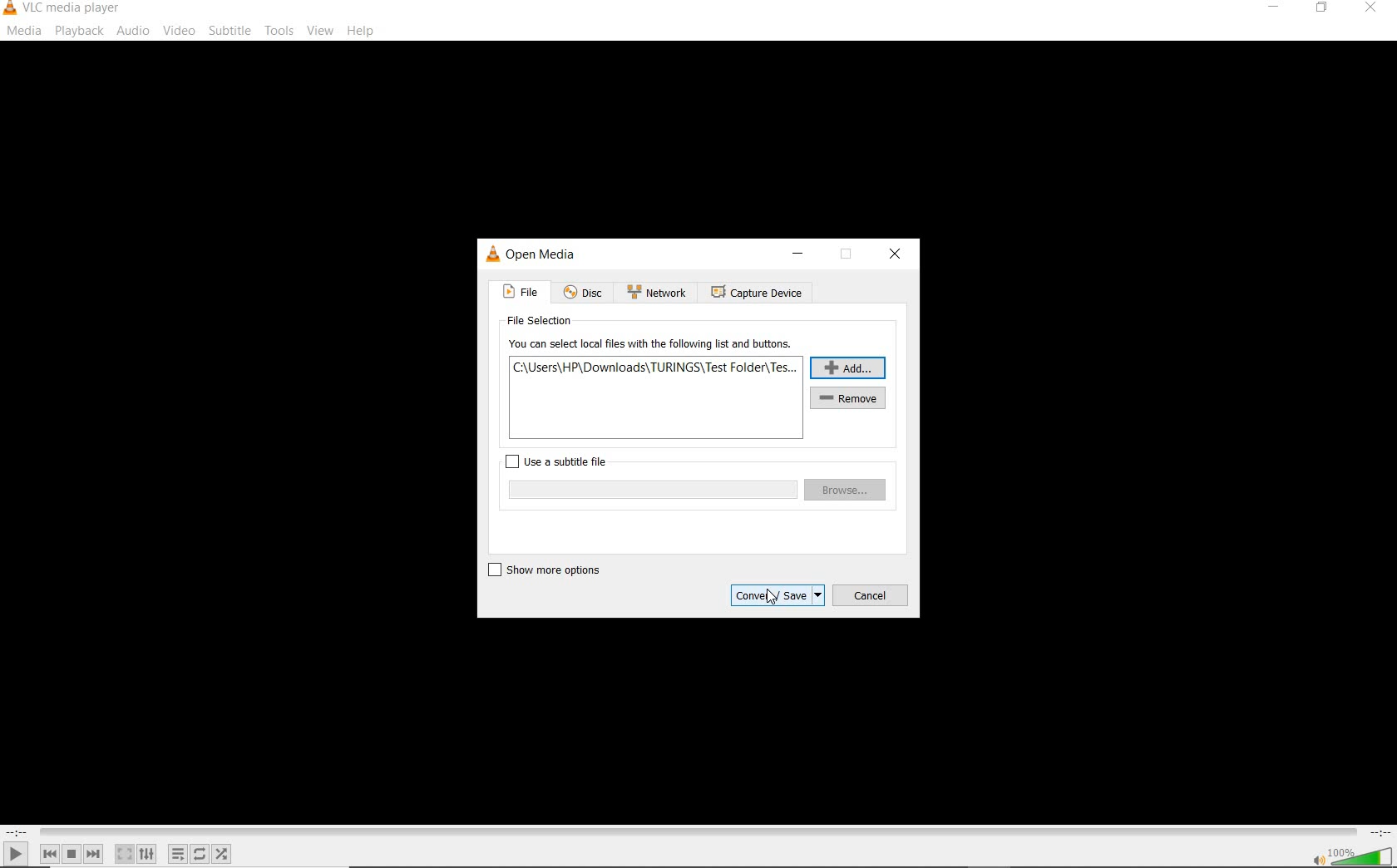  I want to click on view, so click(321, 31).